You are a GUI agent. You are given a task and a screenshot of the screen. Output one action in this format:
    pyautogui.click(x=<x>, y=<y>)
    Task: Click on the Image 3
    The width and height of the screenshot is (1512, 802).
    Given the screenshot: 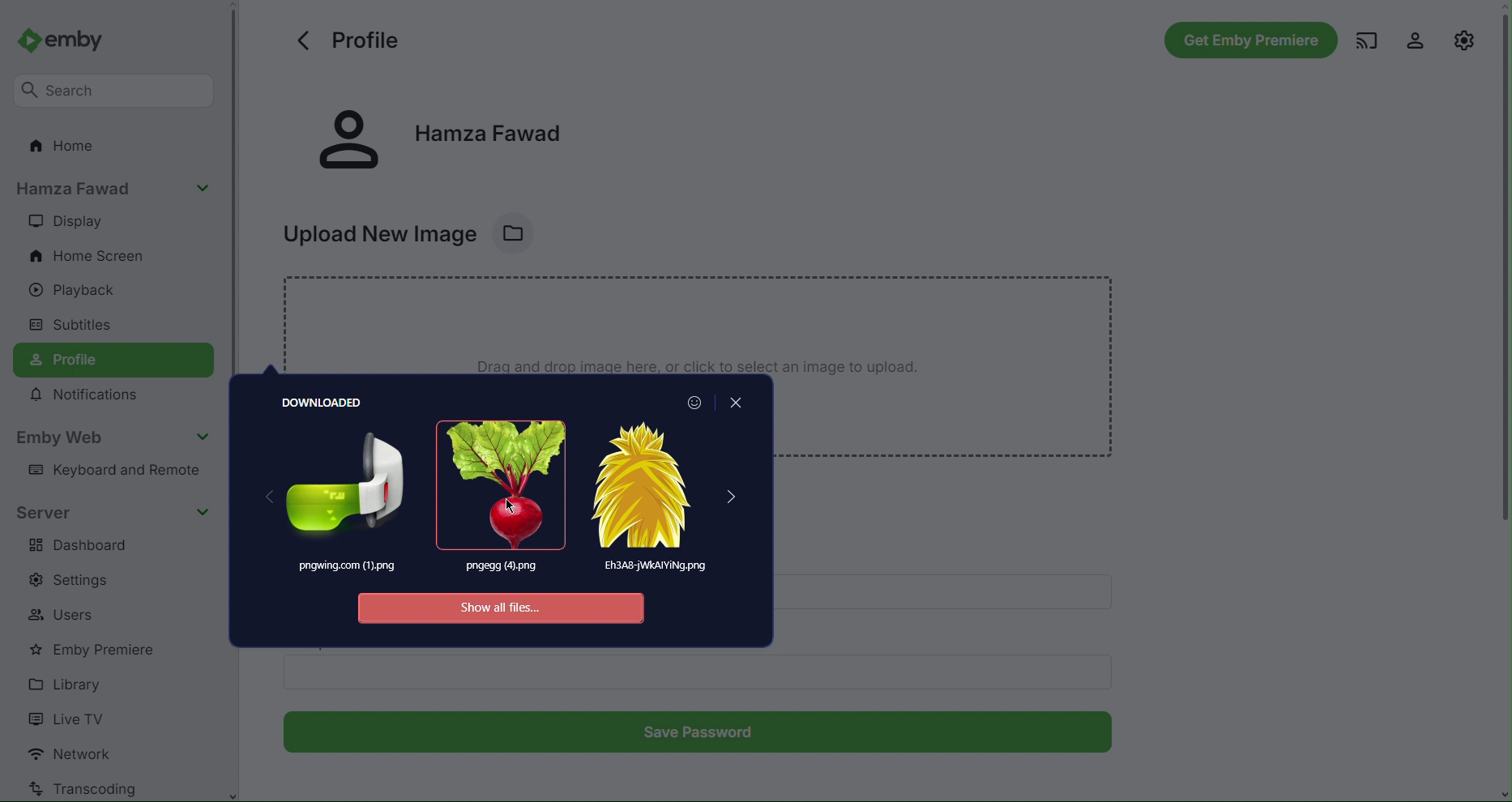 What is the action you would take?
    pyautogui.click(x=672, y=499)
    